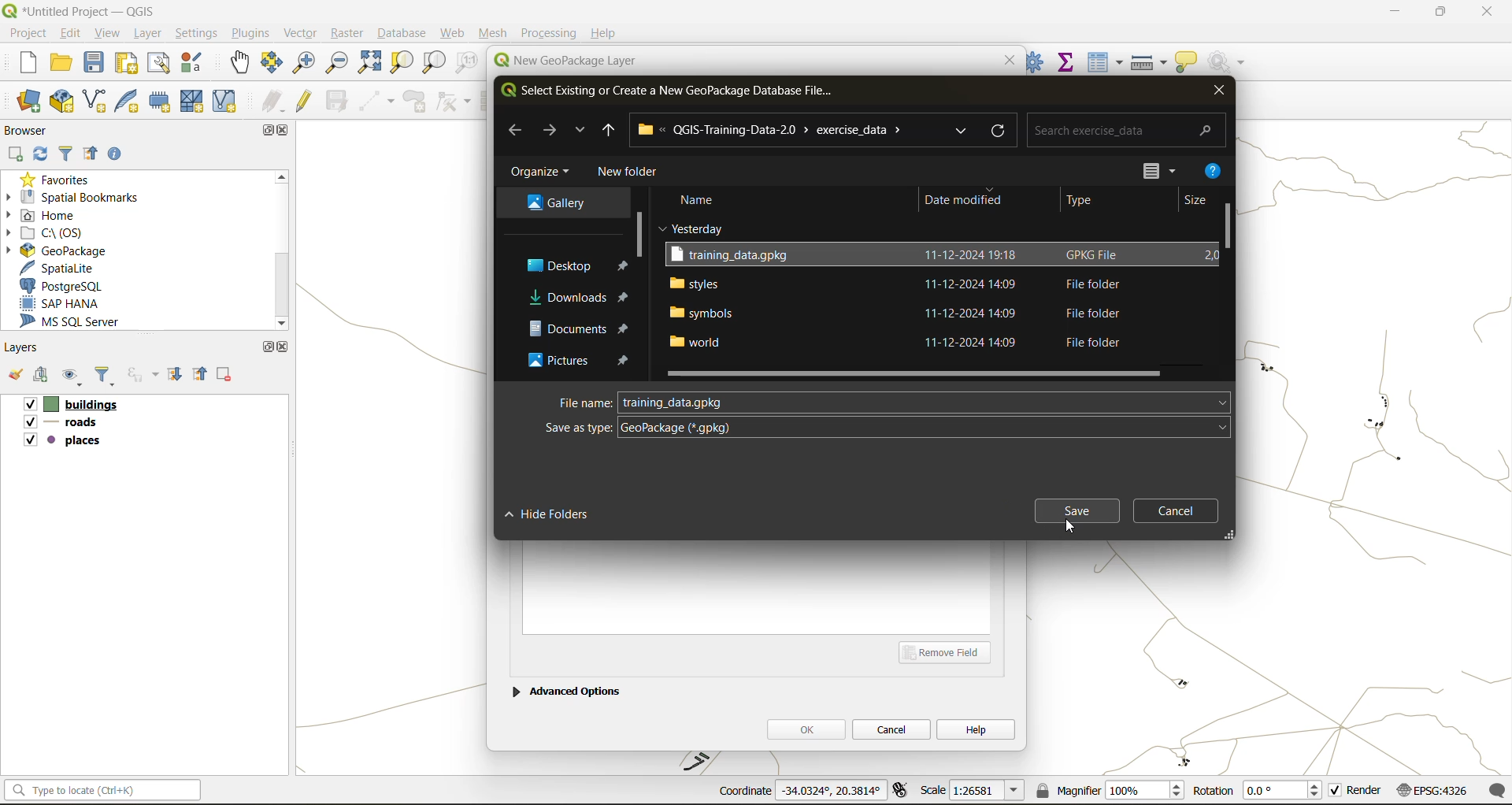 The width and height of the screenshot is (1512, 805). Describe the element at coordinates (95, 102) in the screenshot. I see `new shapefile layer` at that location.